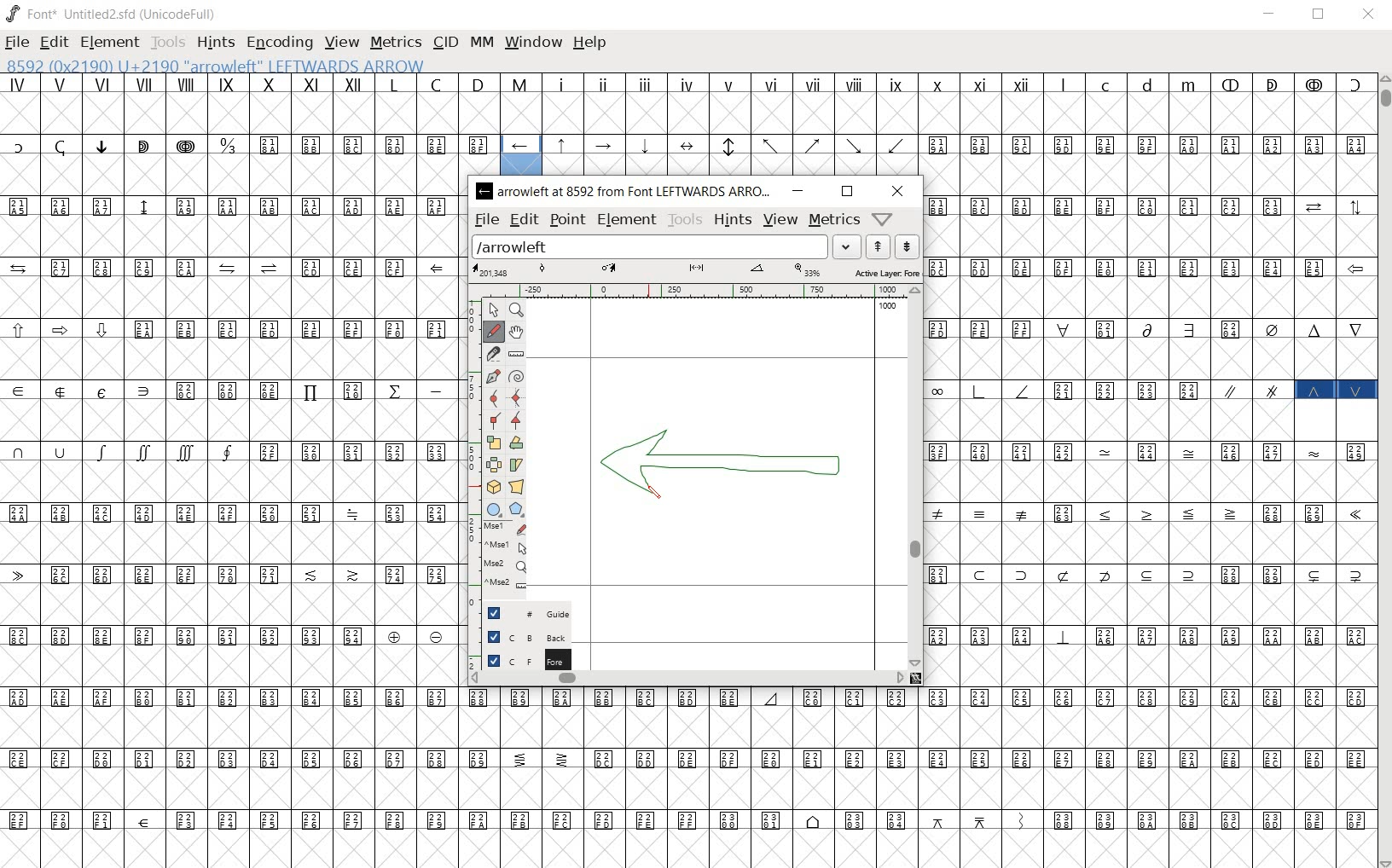 This screenshot has height=868, width=1392. What do you see at coordinates (667, 246) in the screenshot?
I see `load word list` at bounding box center [667, 246].